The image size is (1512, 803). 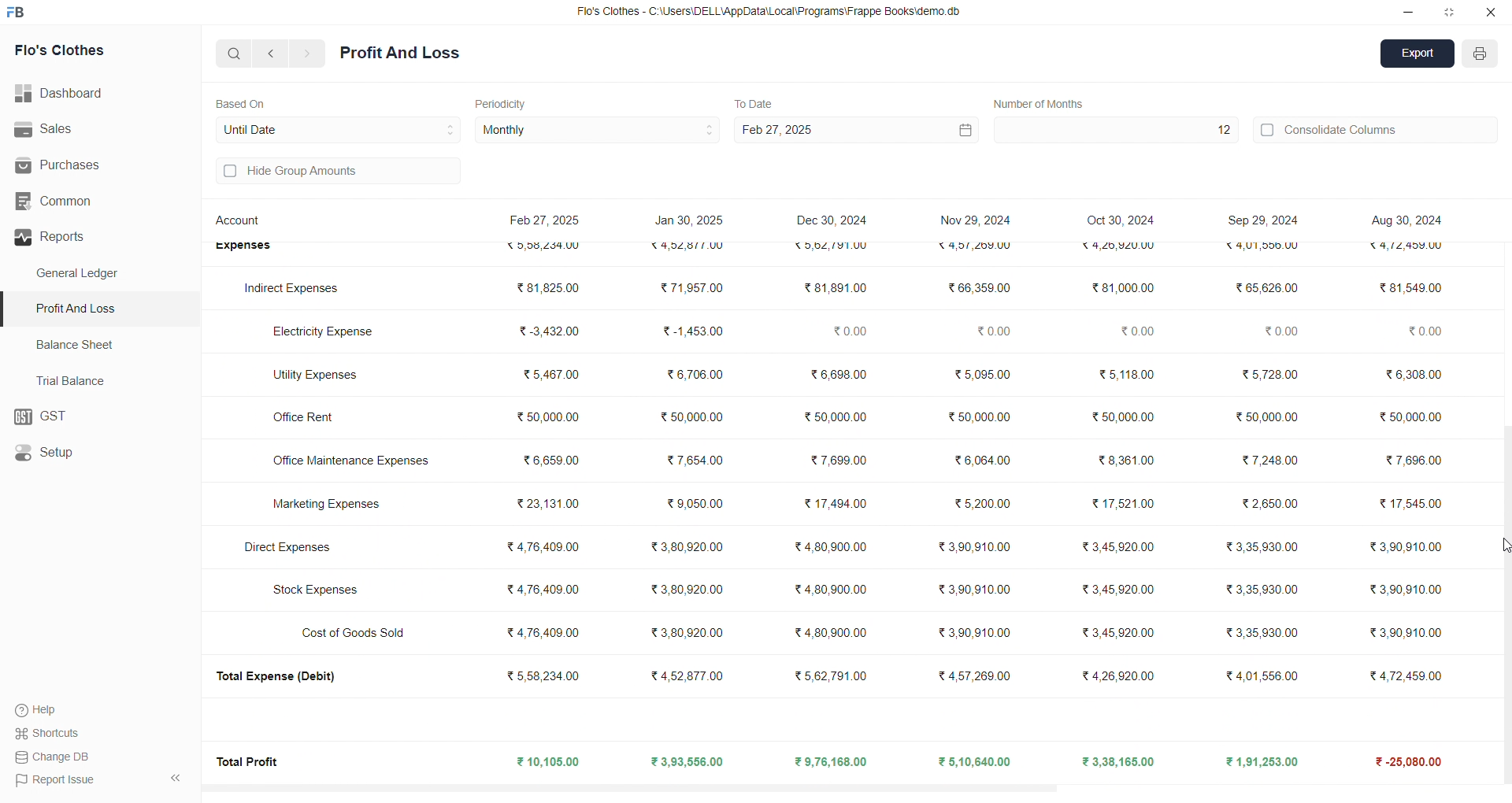 What do you see at coordinates (543, 588) in the screenshot?
I see `₹4,76,409.00` at bounding box center [543, 588].